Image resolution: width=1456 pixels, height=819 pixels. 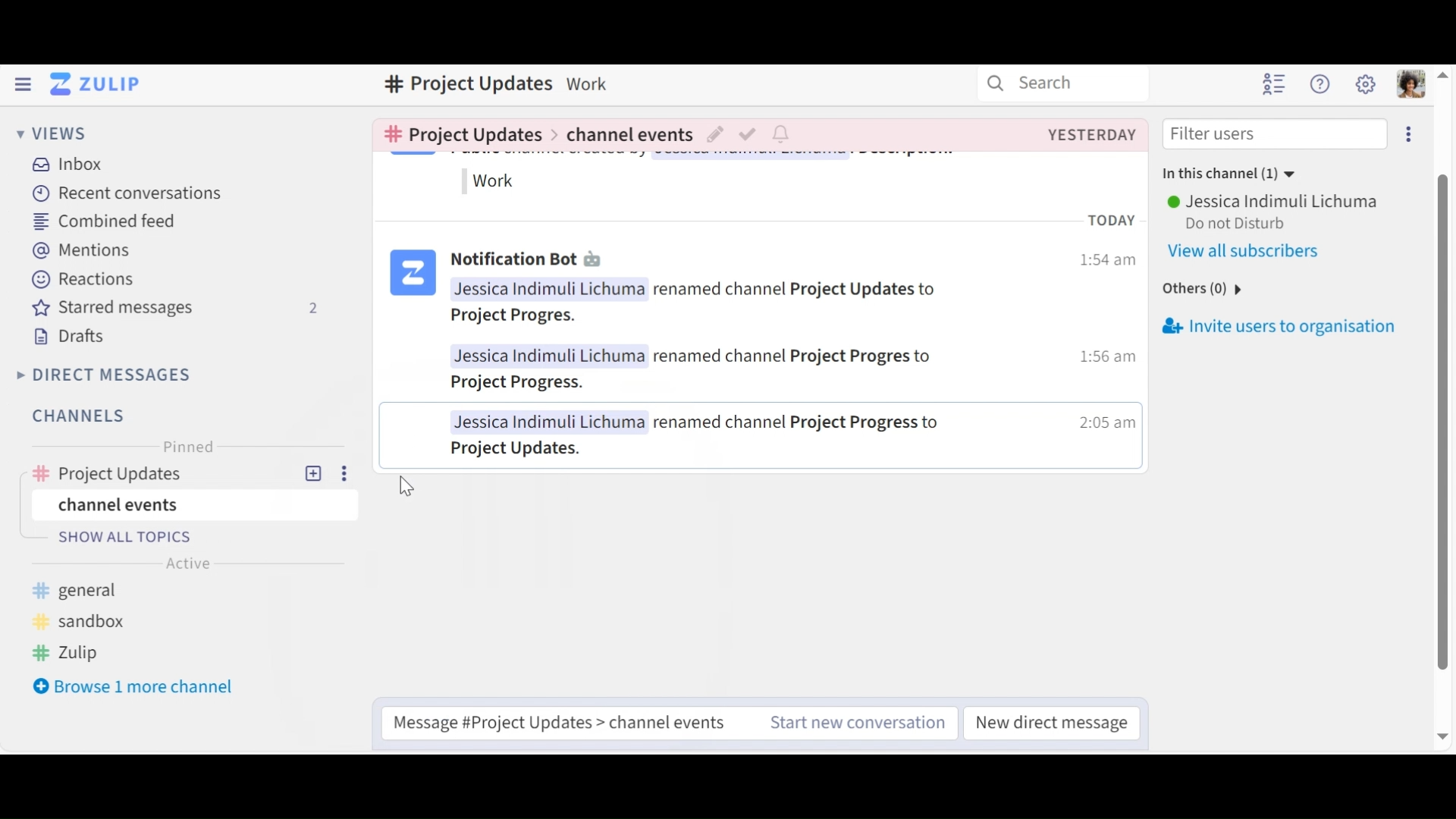 What do you see at coordinates (496, 182) in the screenshot?
I see `work` at bounding box center [496, 182].